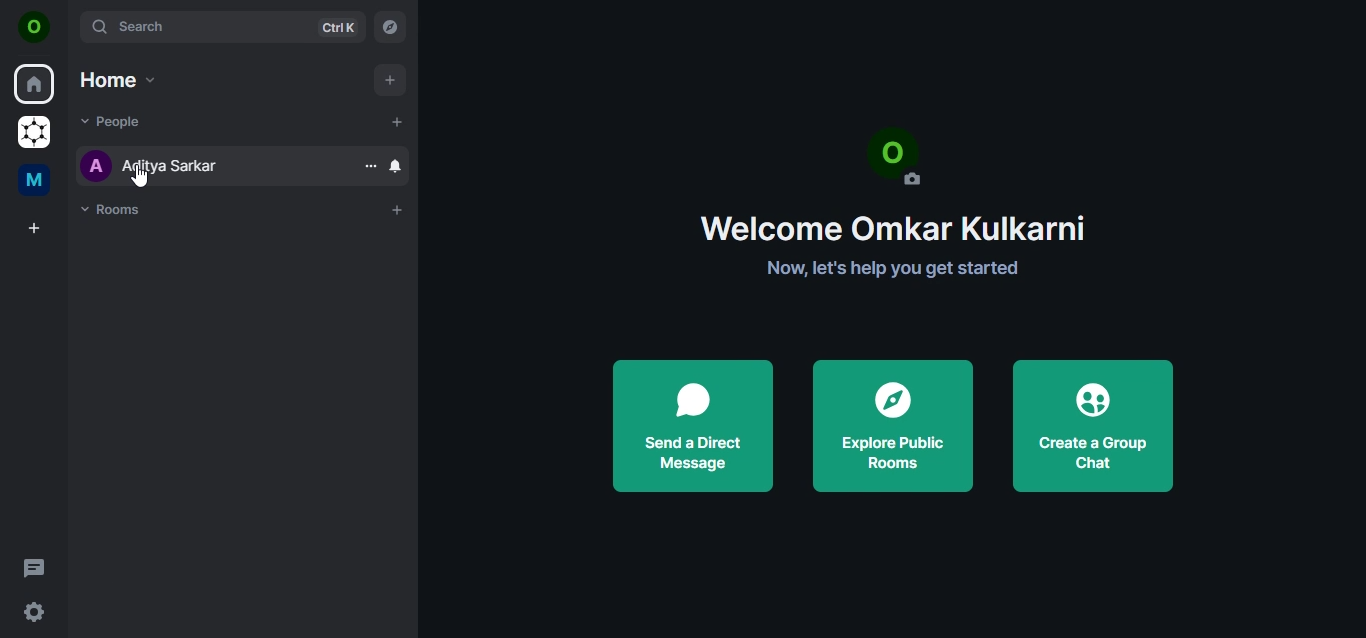 The height and width of the screenshot is (638, 1366). Describe the element at coordinates (34, 134) in the screenshot. I see `graoheneos` at that location.